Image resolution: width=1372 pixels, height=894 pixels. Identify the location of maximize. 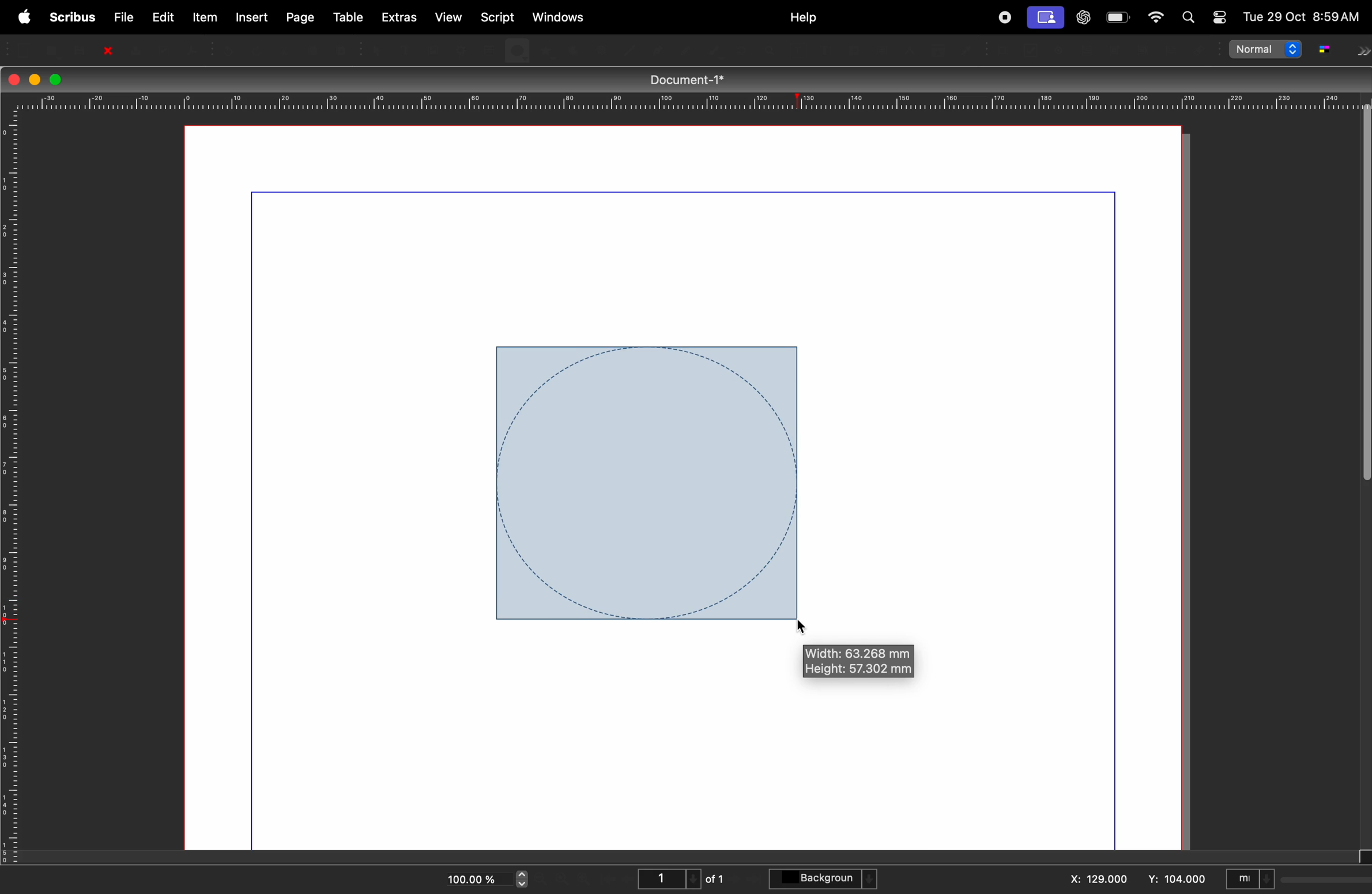
(57, 80).